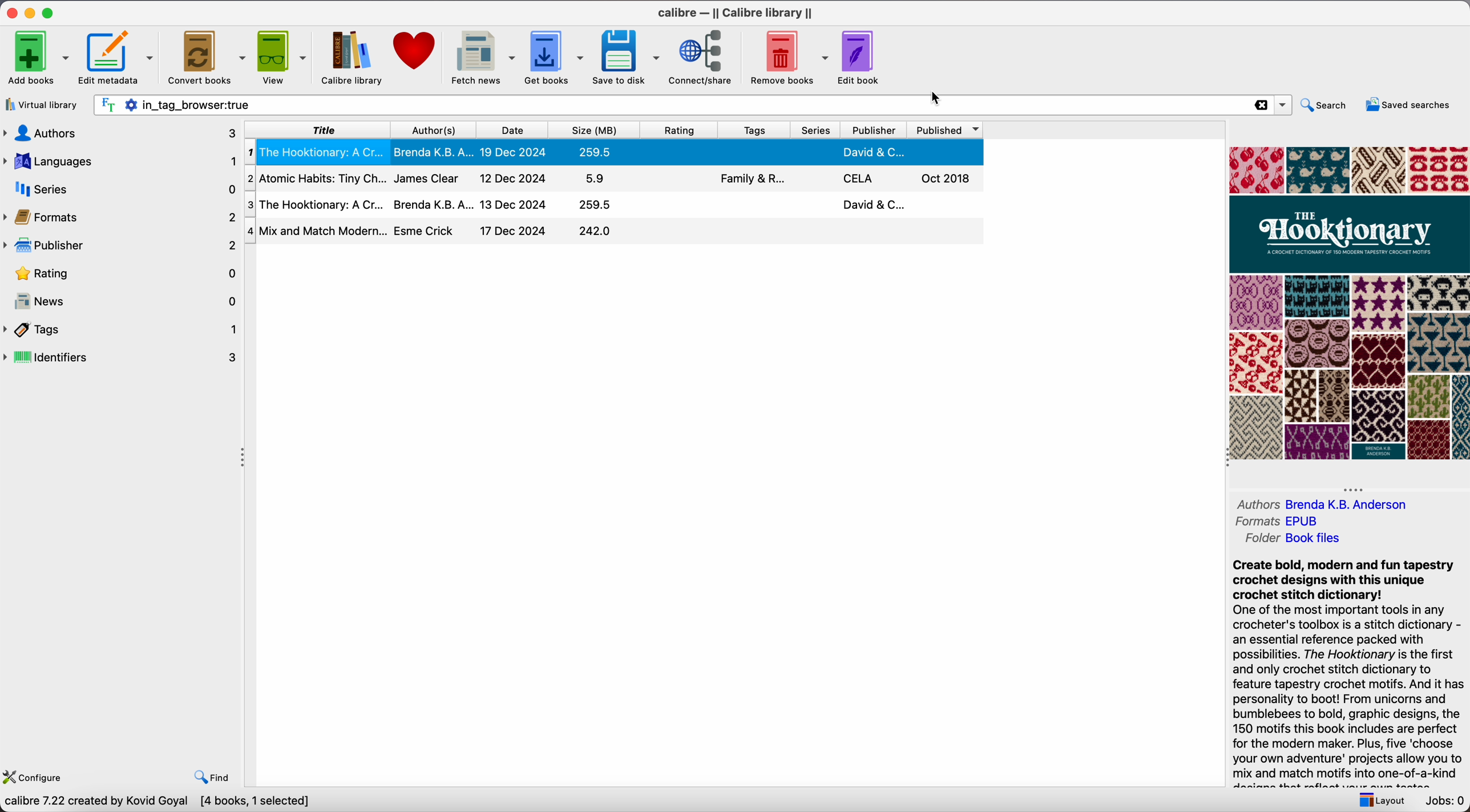 Image resolution: width=1470 pixels, height=812 pixels. I want to click on Esme Crick, so click(426, 231).